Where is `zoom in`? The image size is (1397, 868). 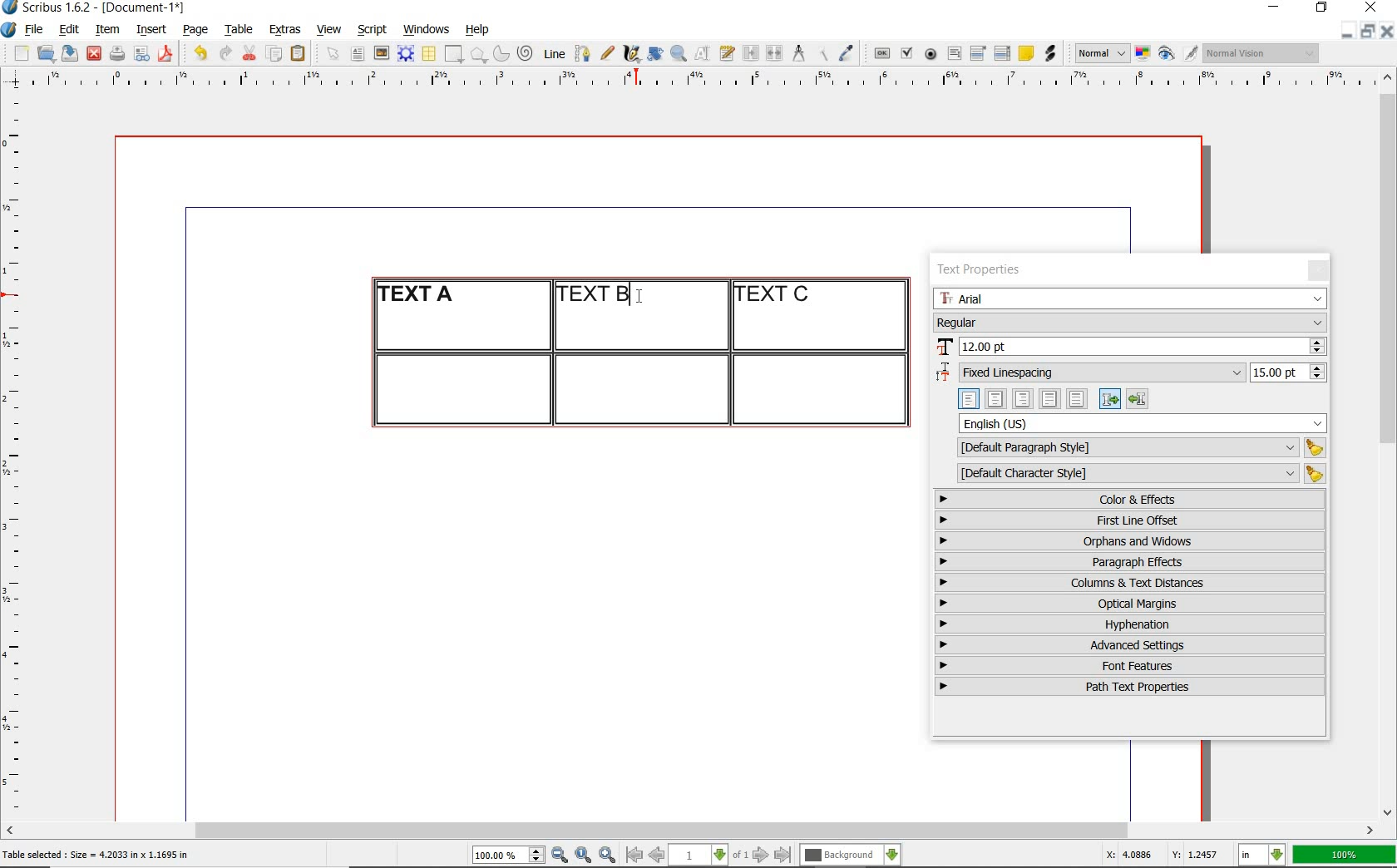 zoom in is located at coordinates (608, 856).